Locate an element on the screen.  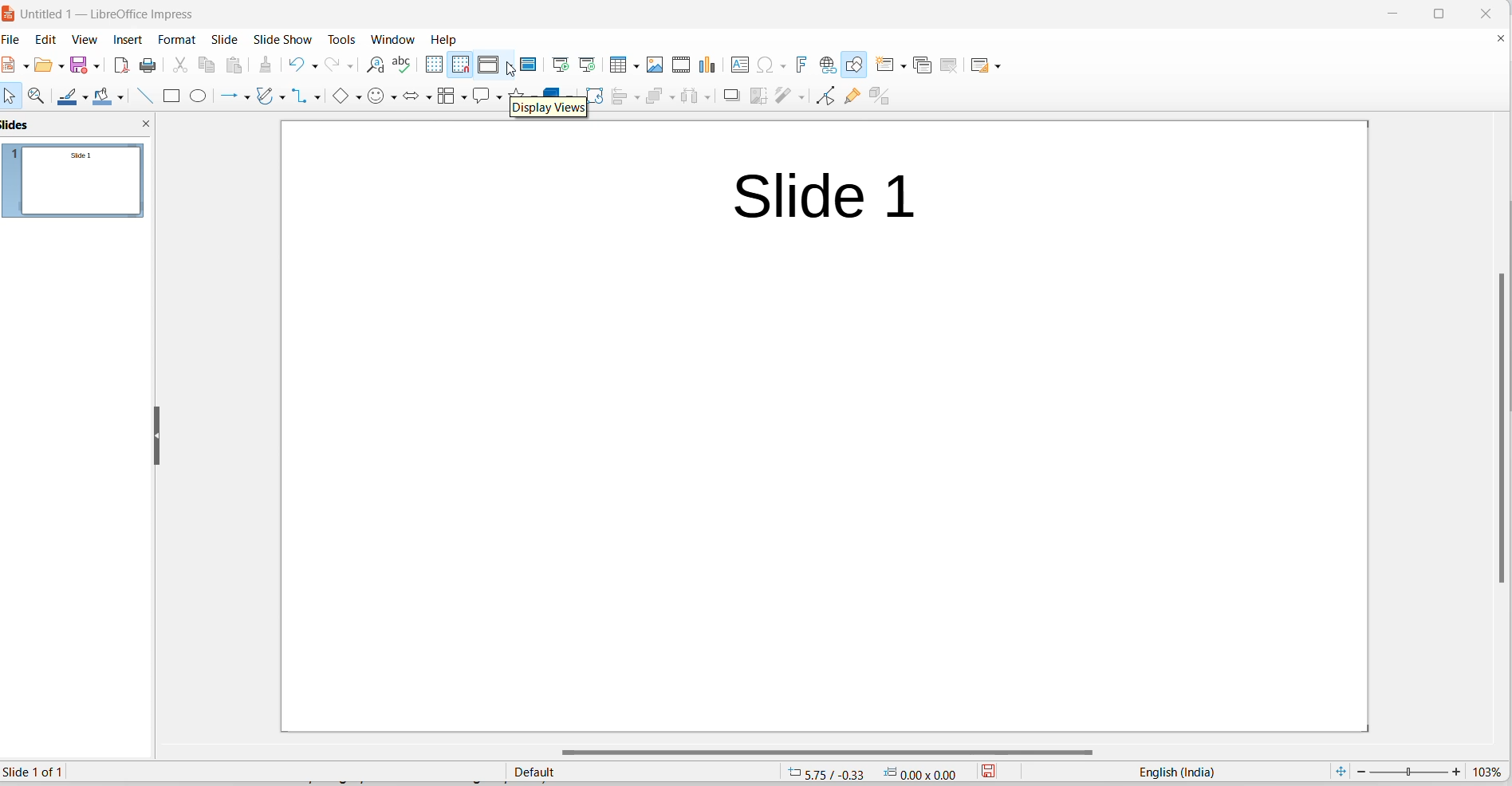
insert special characters is located at coordinates (765, 65).